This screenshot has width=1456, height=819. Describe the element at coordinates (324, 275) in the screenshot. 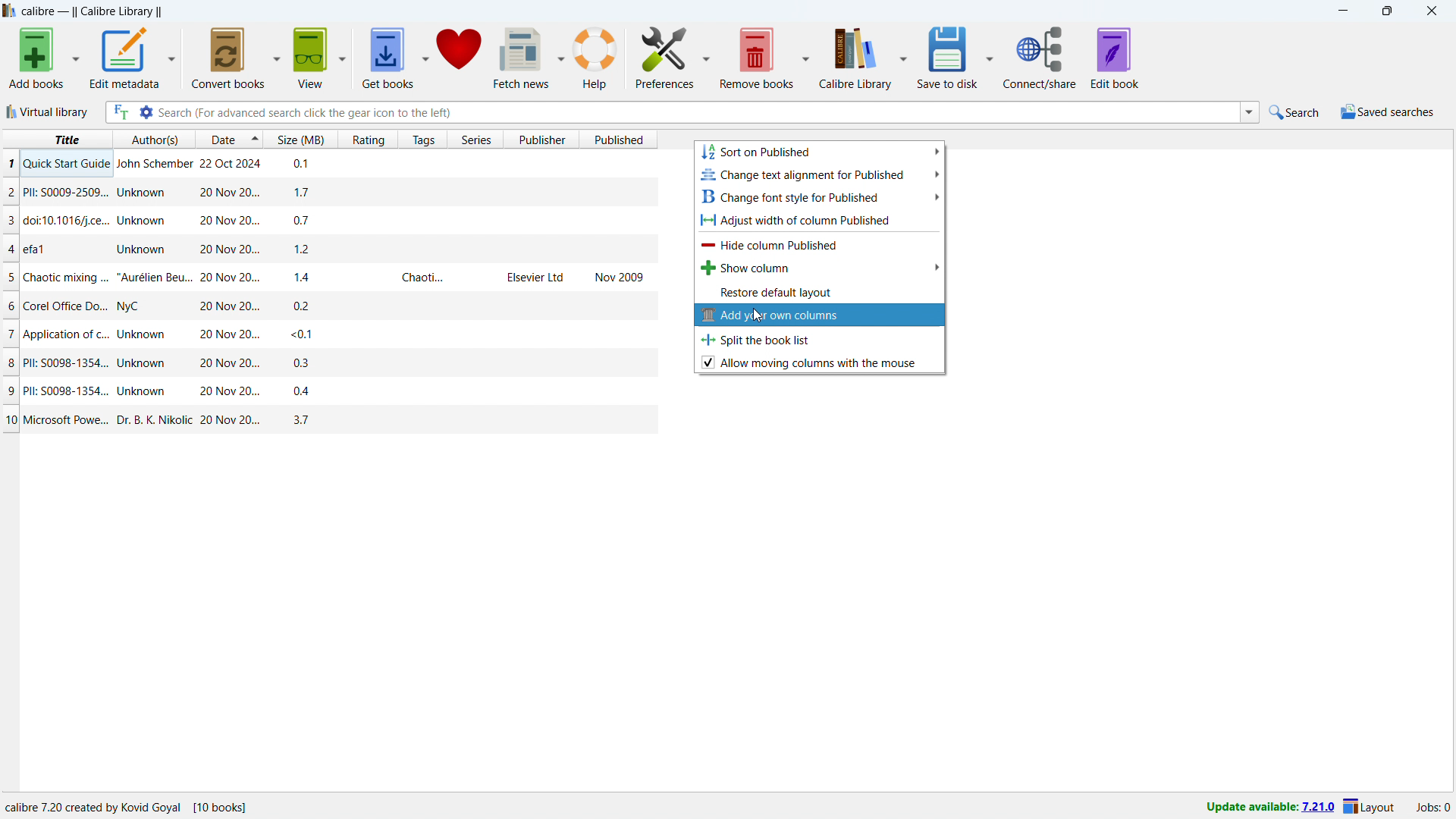

I see `5 Chaotic mixing ... "Aurélien Beu... 20 Nov 20... 14 Chaoti... Elsevier Ltd Nov 2009` at that location.